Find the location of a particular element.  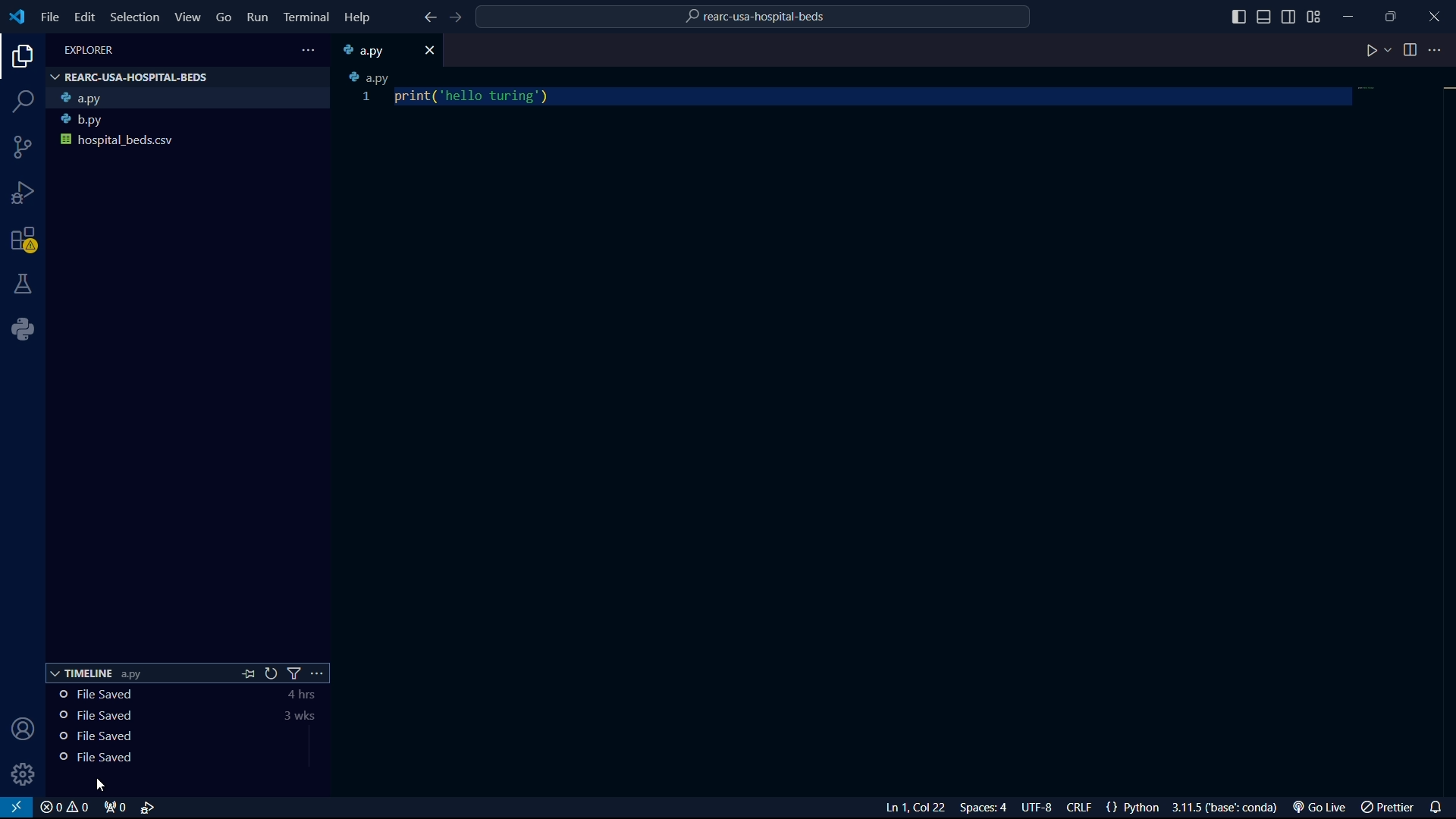

extensions is located at coordinates (27, 240).